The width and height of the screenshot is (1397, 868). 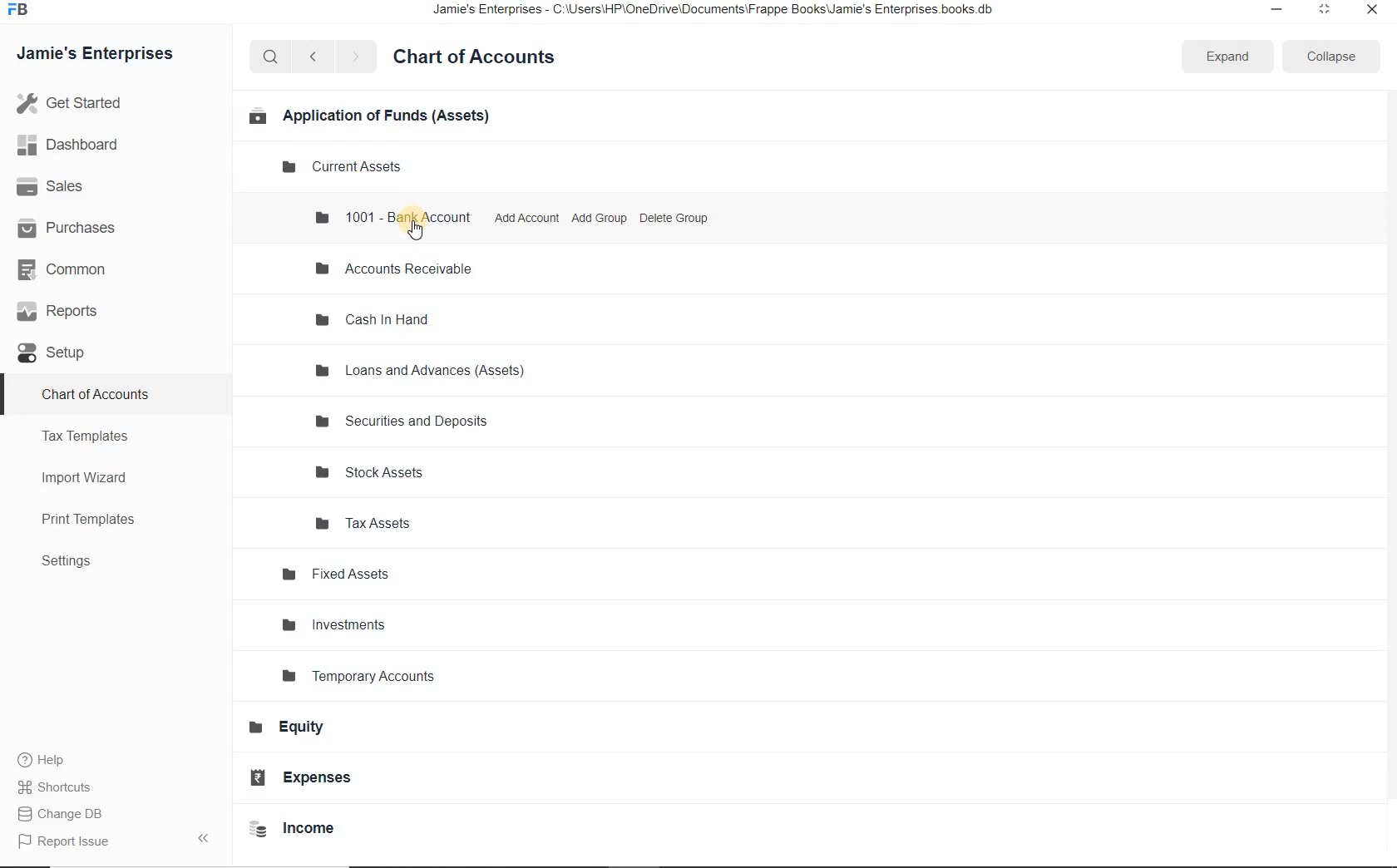 What do you see at coordinates (417, 231) in the screenshot?
I see `cursor` at bounding box center [417, 231].